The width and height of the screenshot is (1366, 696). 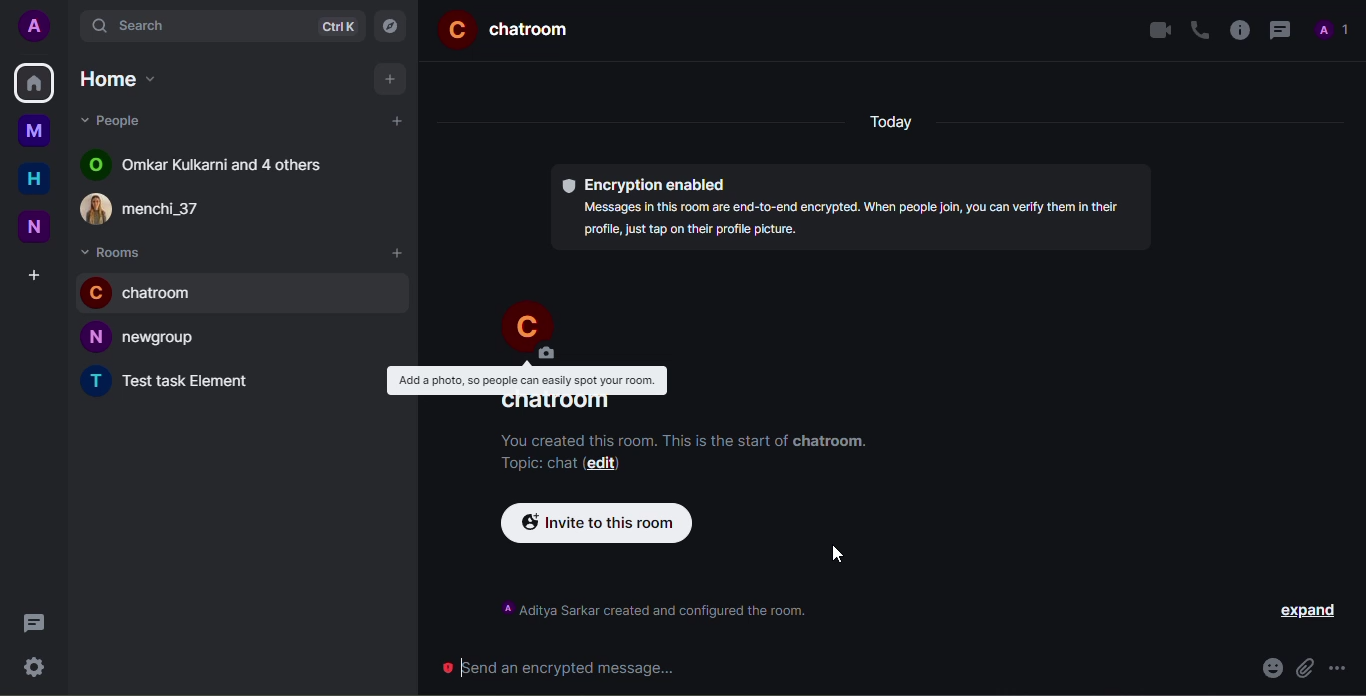 What do you see at coordinates (146, 24) in the screenshot?
I see `search` at bounding box center [146, 24].